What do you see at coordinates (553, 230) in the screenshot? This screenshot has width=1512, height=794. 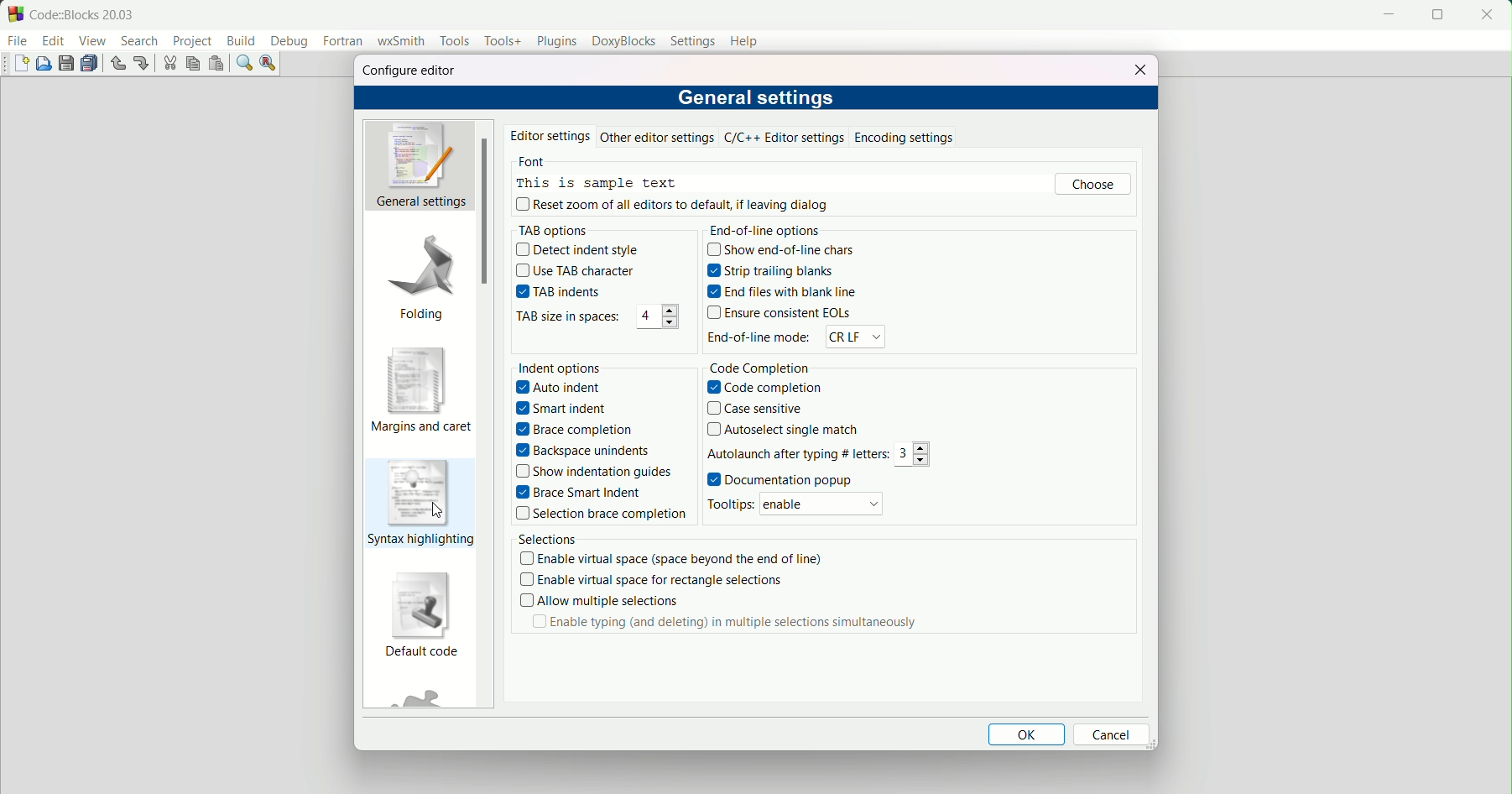 I see `tab options` at bounding box center [553, 230].